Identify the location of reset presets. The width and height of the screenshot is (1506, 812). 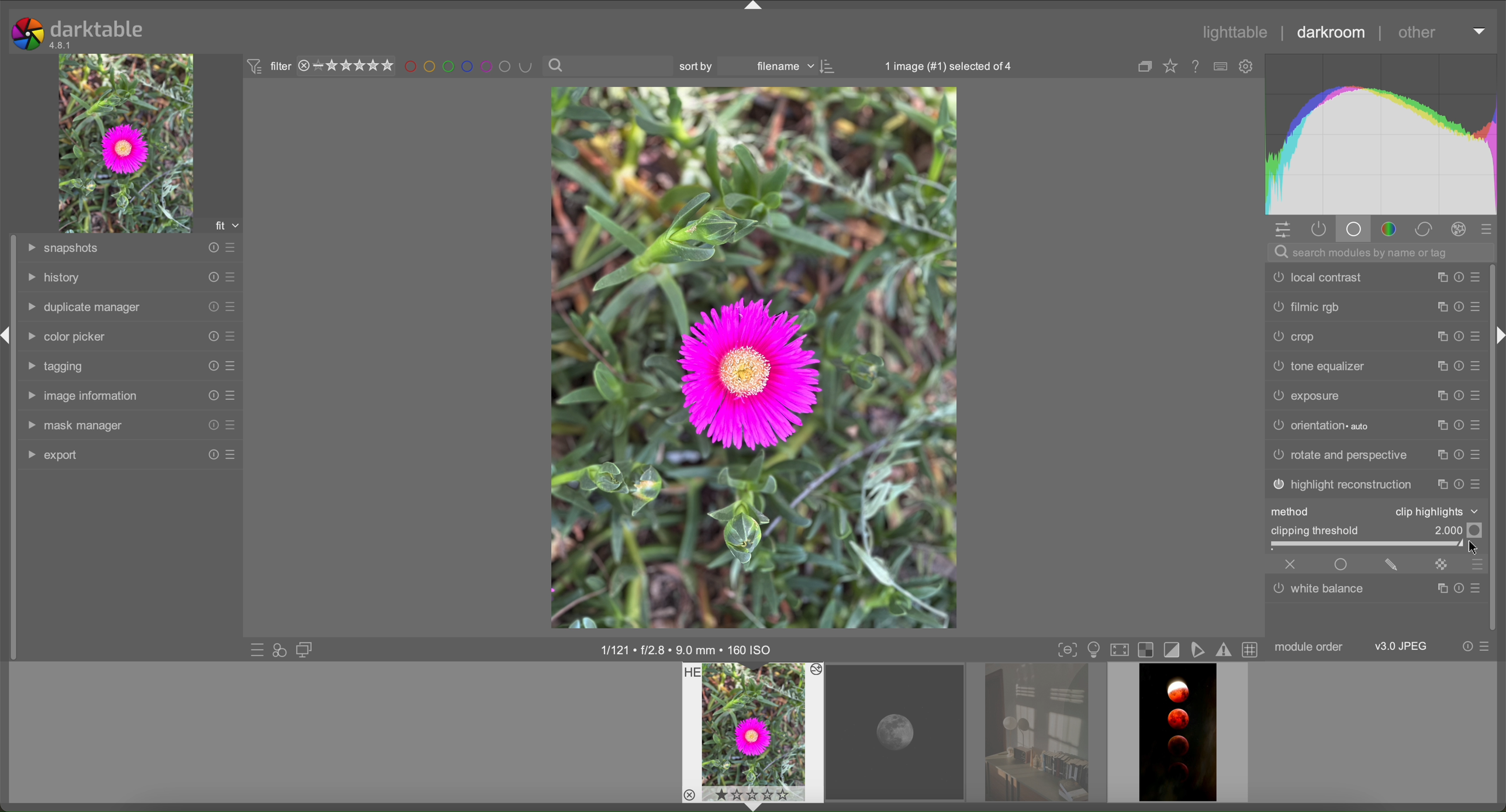
(1458, 336).